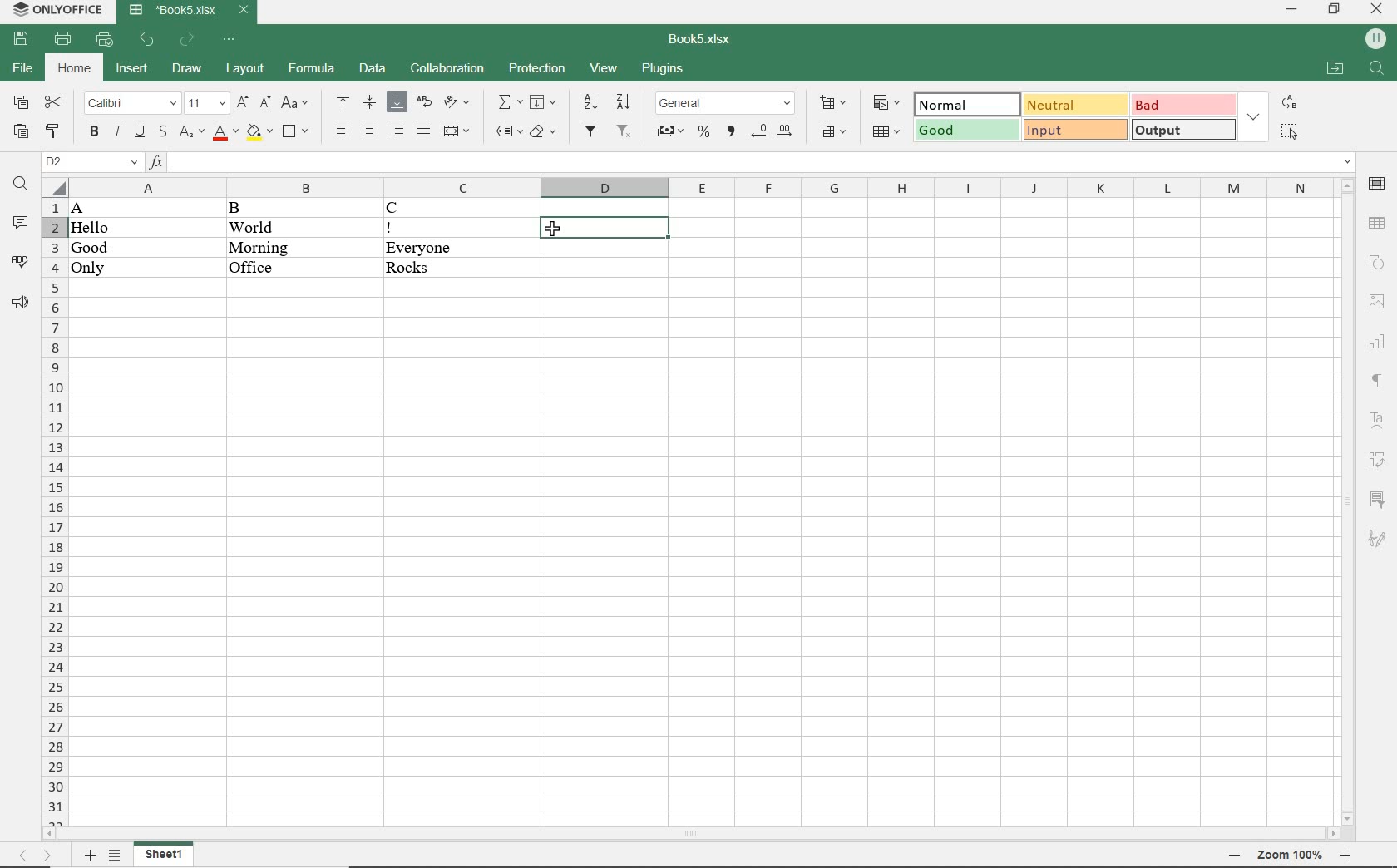  Describe the element at coordinates (1182, 131) in the screenshot. I see `output` at that location.